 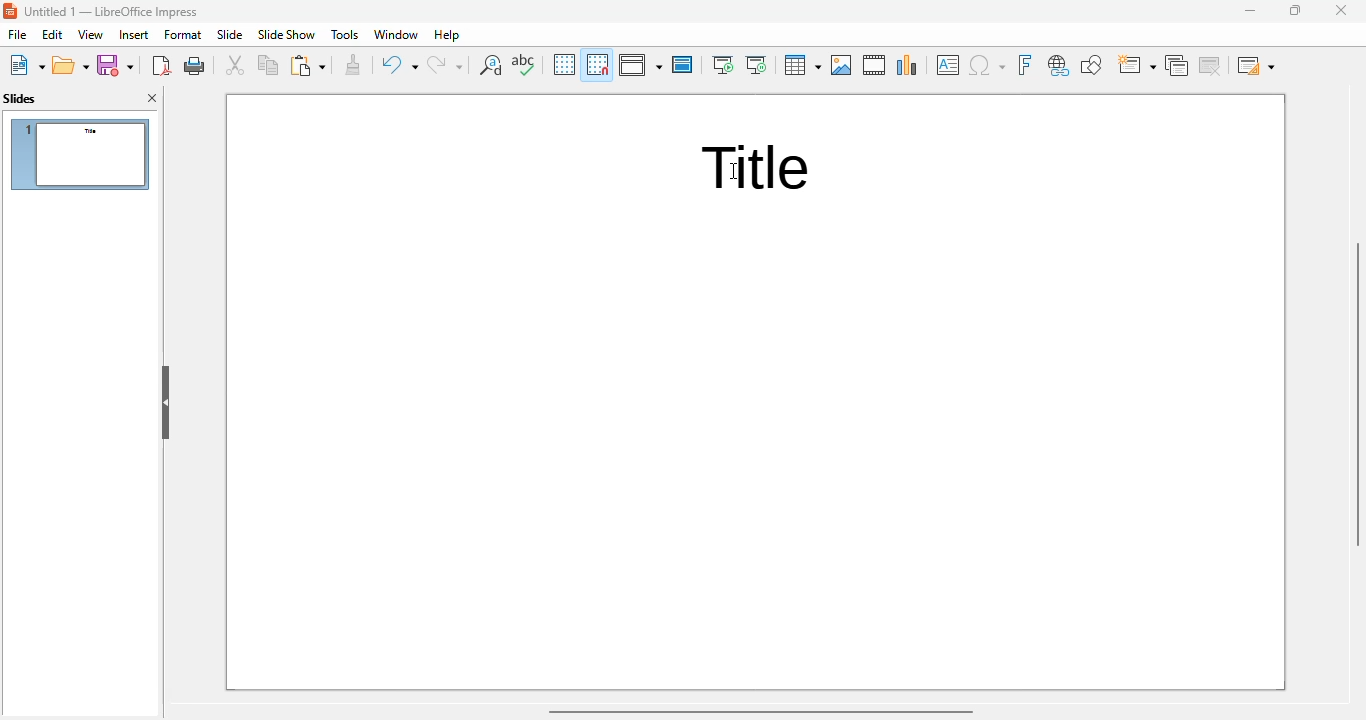 I want to click on insert text box, so click(x=948, y=65).